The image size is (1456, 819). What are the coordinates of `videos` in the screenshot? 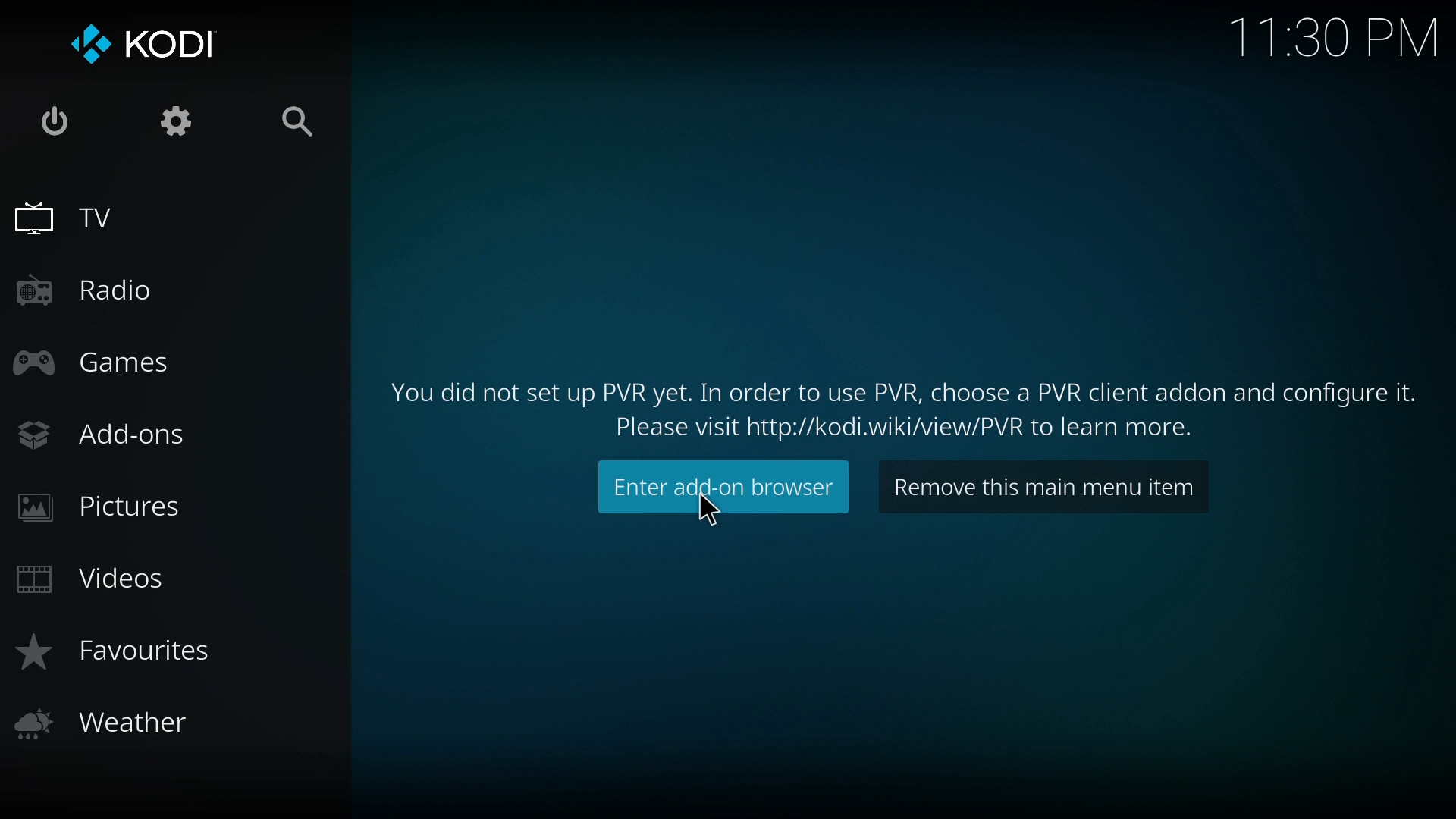 It's located at (95, 582).